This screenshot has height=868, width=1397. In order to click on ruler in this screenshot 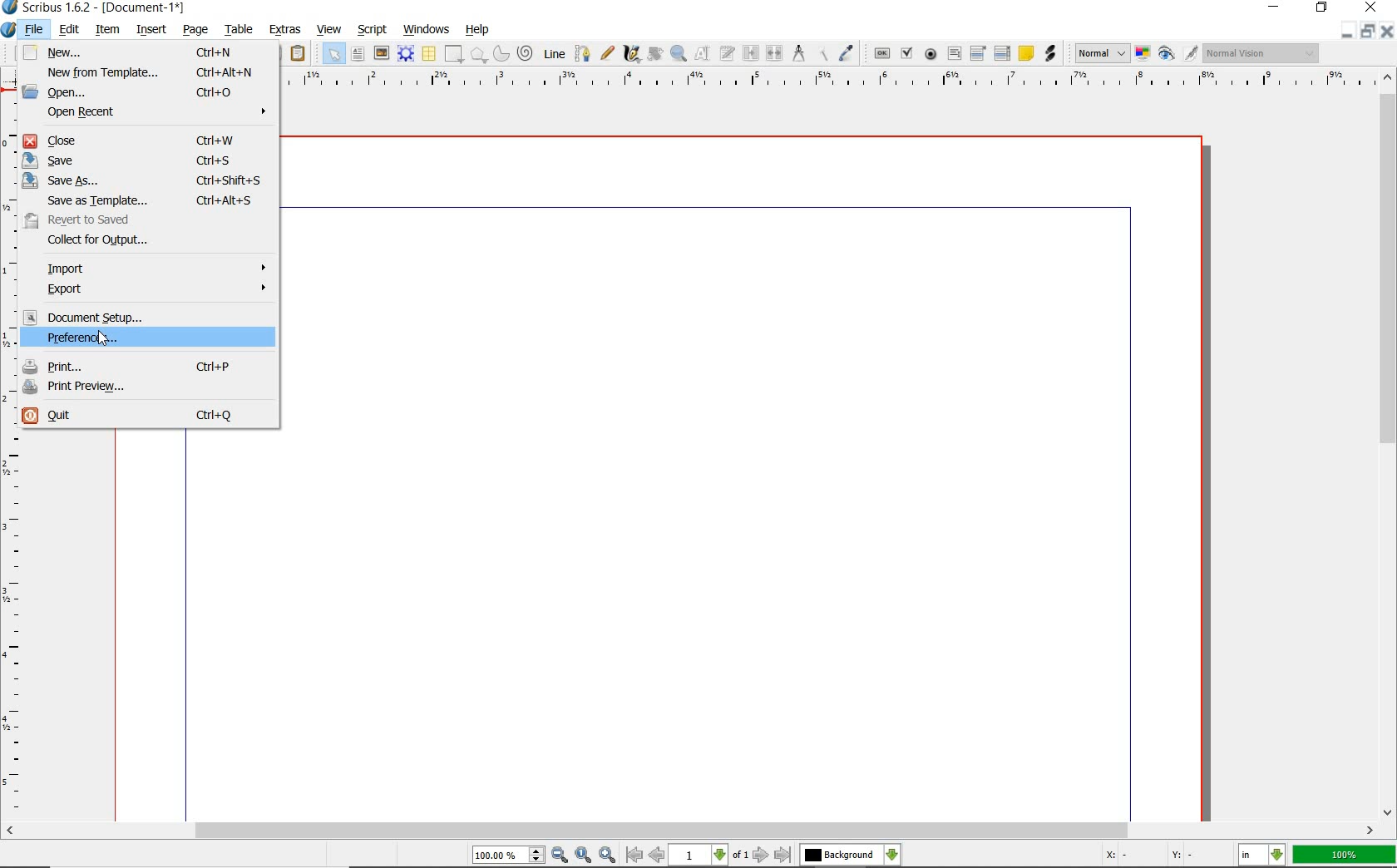, I will do `click(12, 457)`.